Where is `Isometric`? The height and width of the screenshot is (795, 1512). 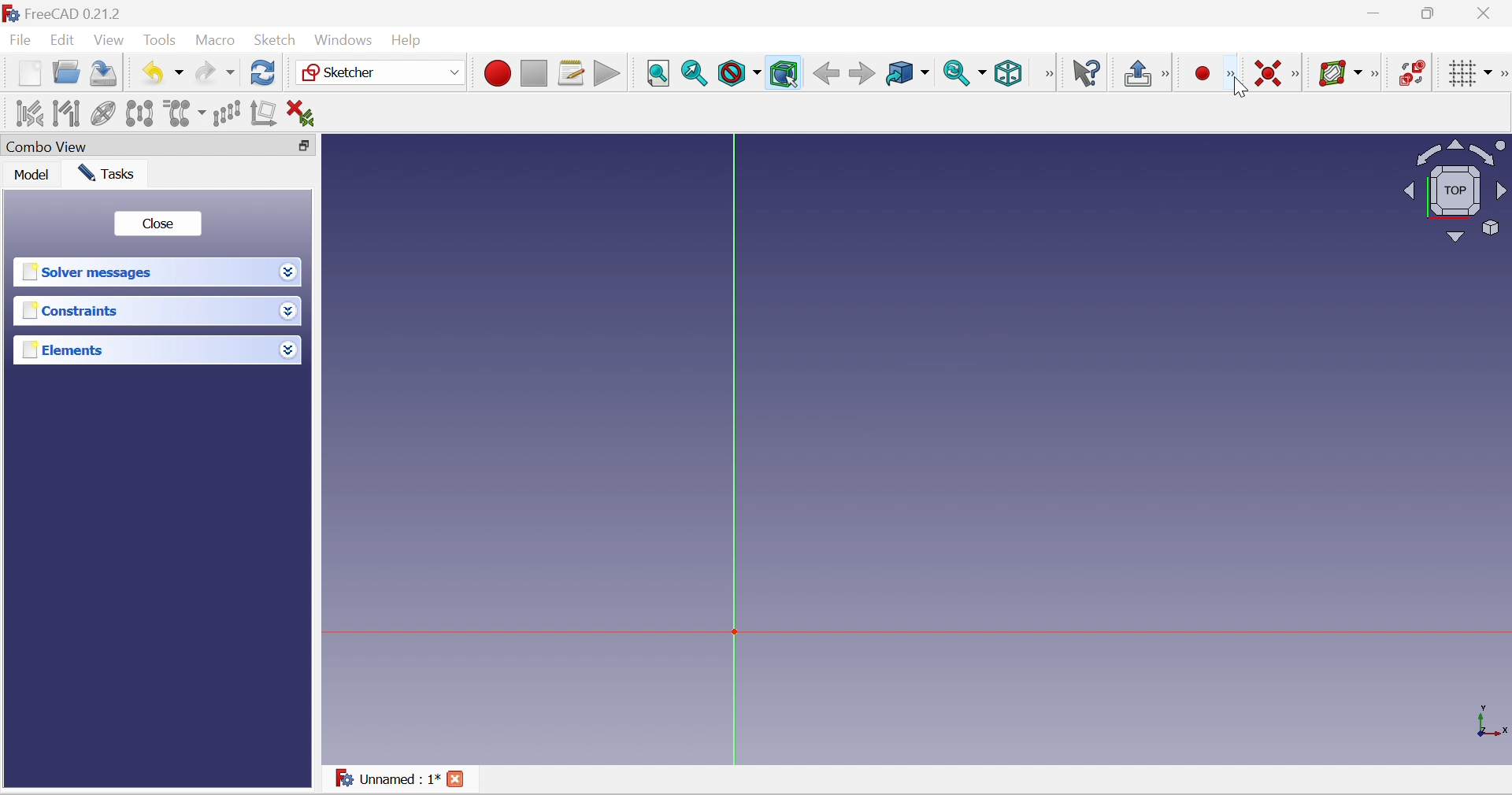
Isometric is located at coordinates (1009, 73).